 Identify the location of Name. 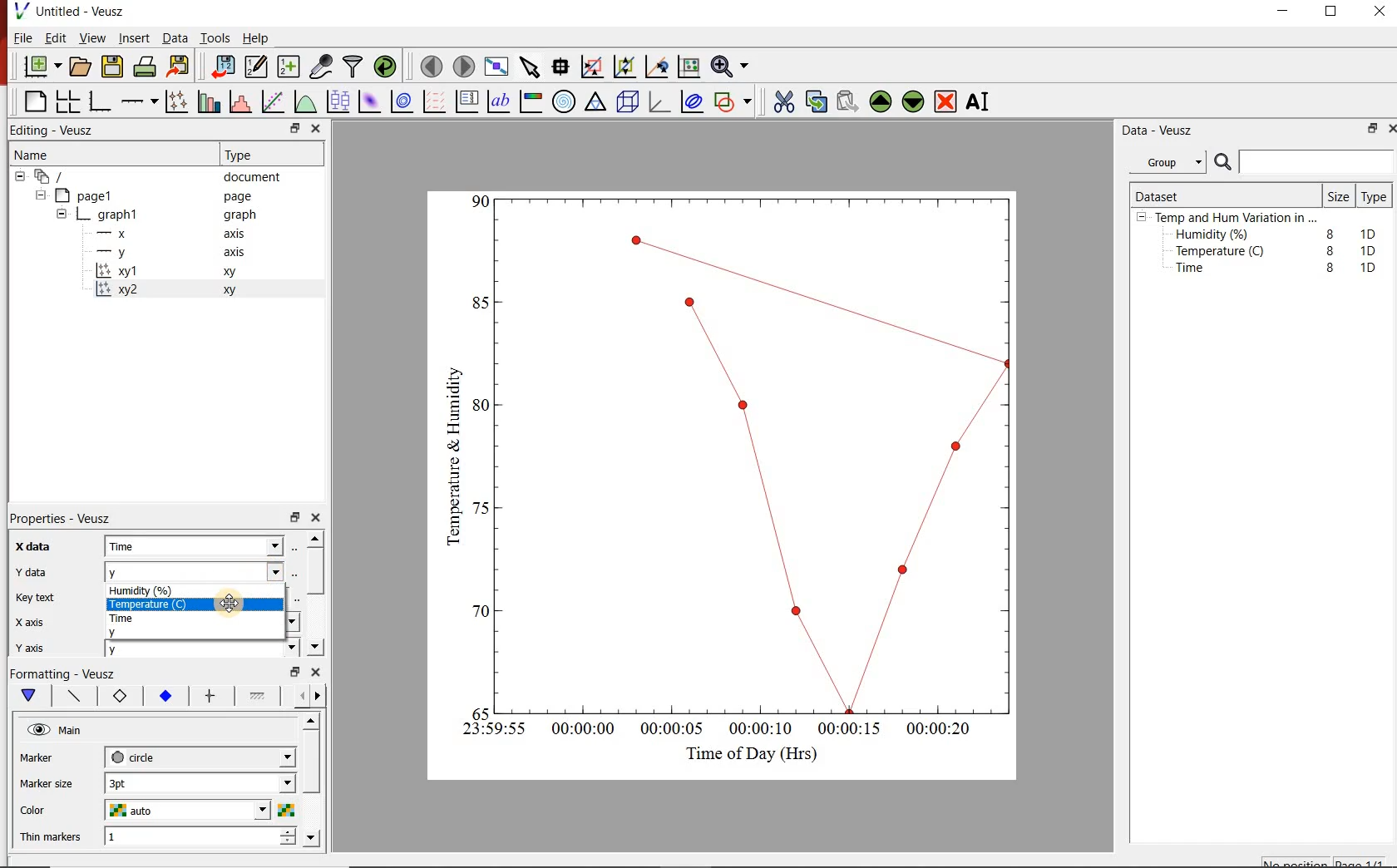
(47, 156).